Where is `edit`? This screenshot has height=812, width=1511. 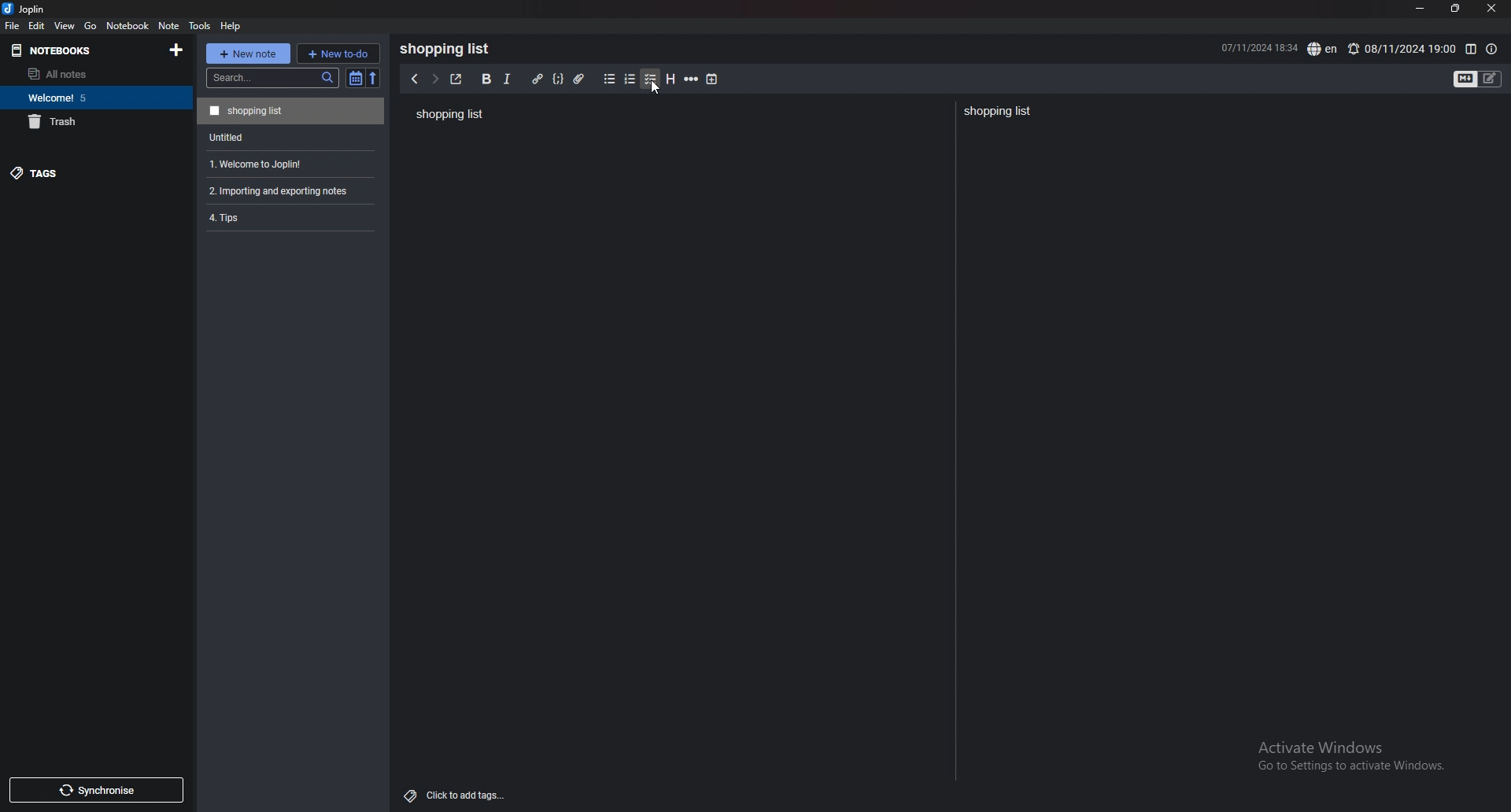 edit is located at coordinates (37, 25).